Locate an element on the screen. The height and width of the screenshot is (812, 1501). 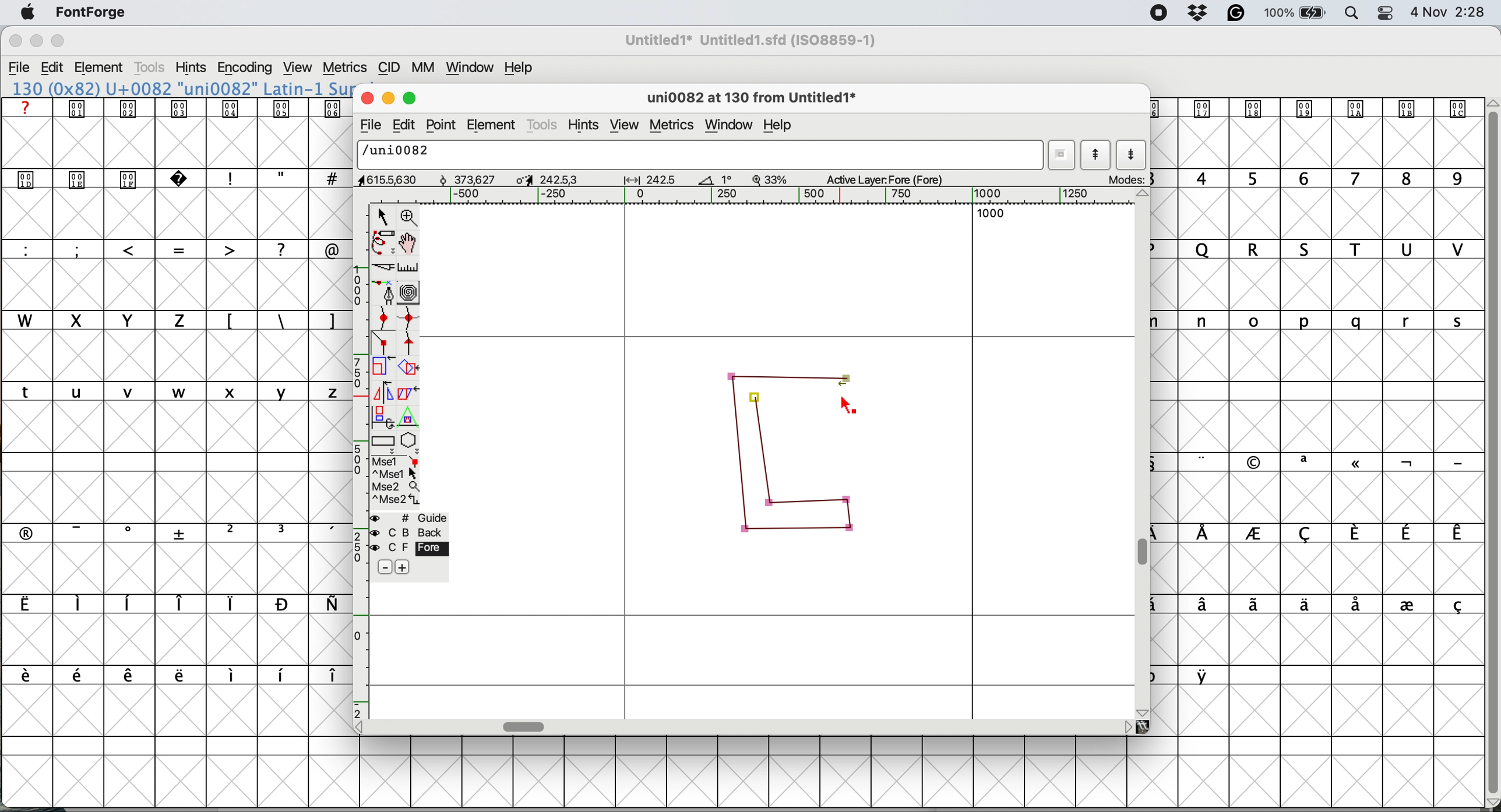
view is located at coordinates (625, 126).